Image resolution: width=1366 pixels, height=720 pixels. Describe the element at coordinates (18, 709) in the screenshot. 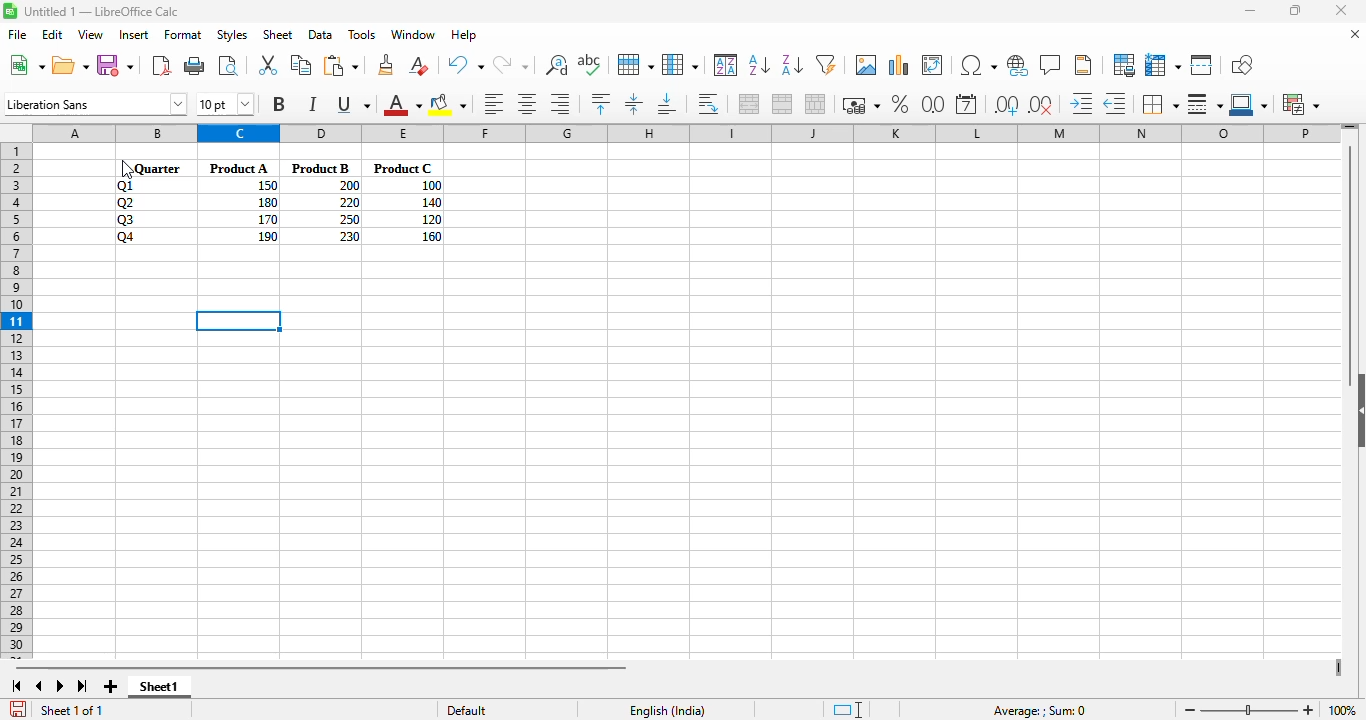

I see `click to save the document` at that location.